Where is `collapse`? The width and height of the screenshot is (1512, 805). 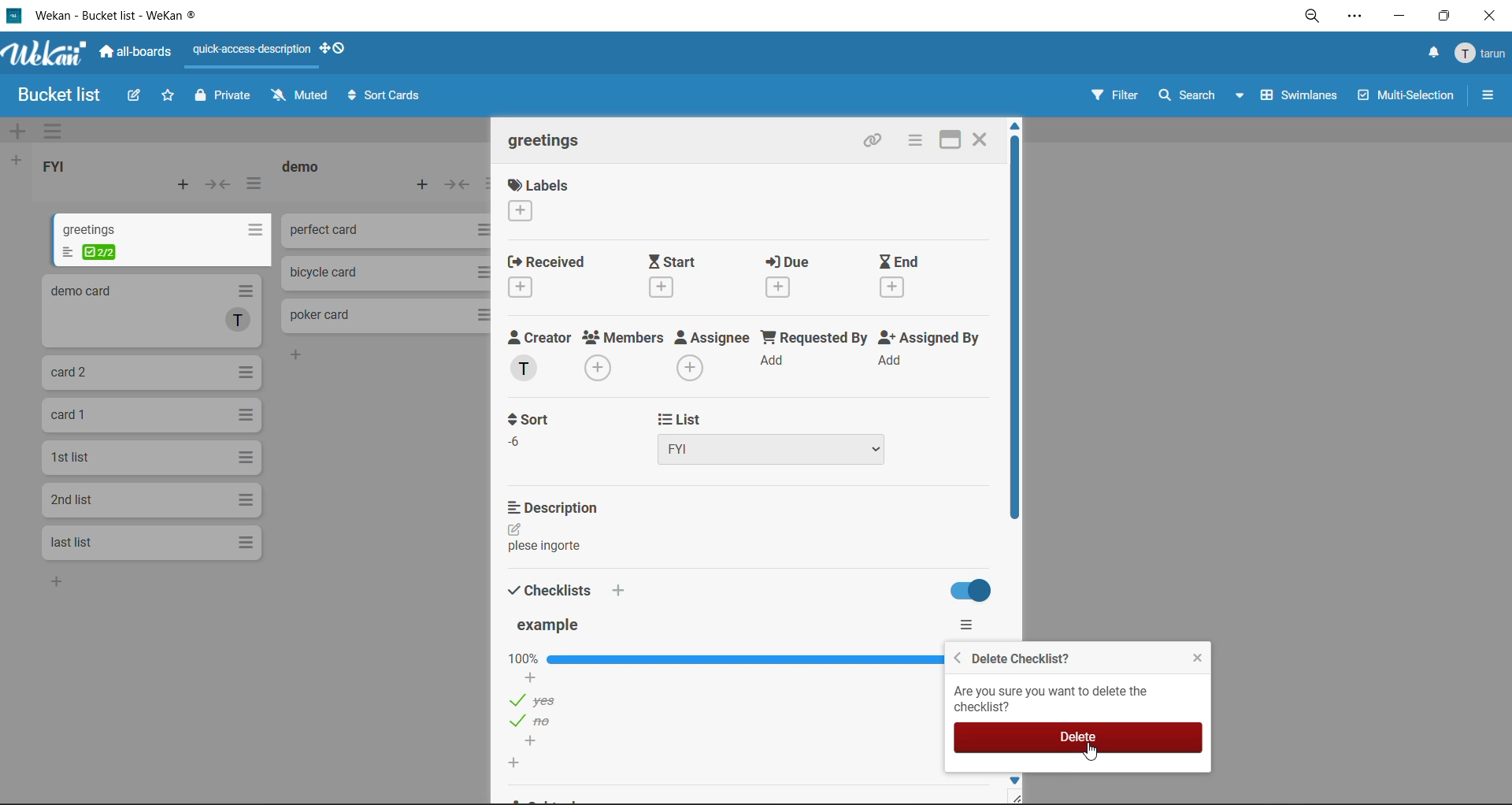 collapse is located at coordinates (218, 184).